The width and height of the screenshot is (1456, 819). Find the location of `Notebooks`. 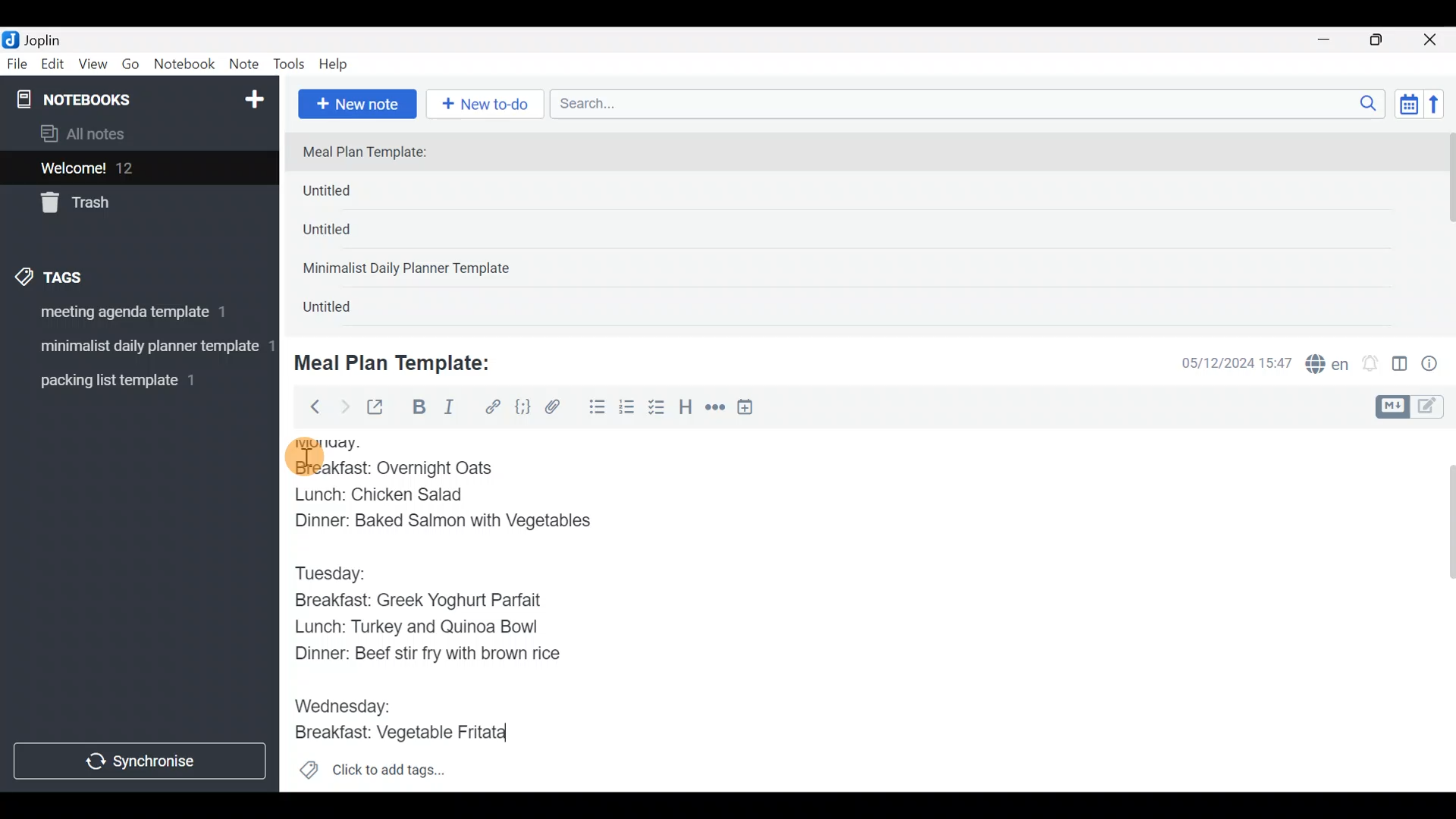

Notebooks is located at coordinates (107, 99).